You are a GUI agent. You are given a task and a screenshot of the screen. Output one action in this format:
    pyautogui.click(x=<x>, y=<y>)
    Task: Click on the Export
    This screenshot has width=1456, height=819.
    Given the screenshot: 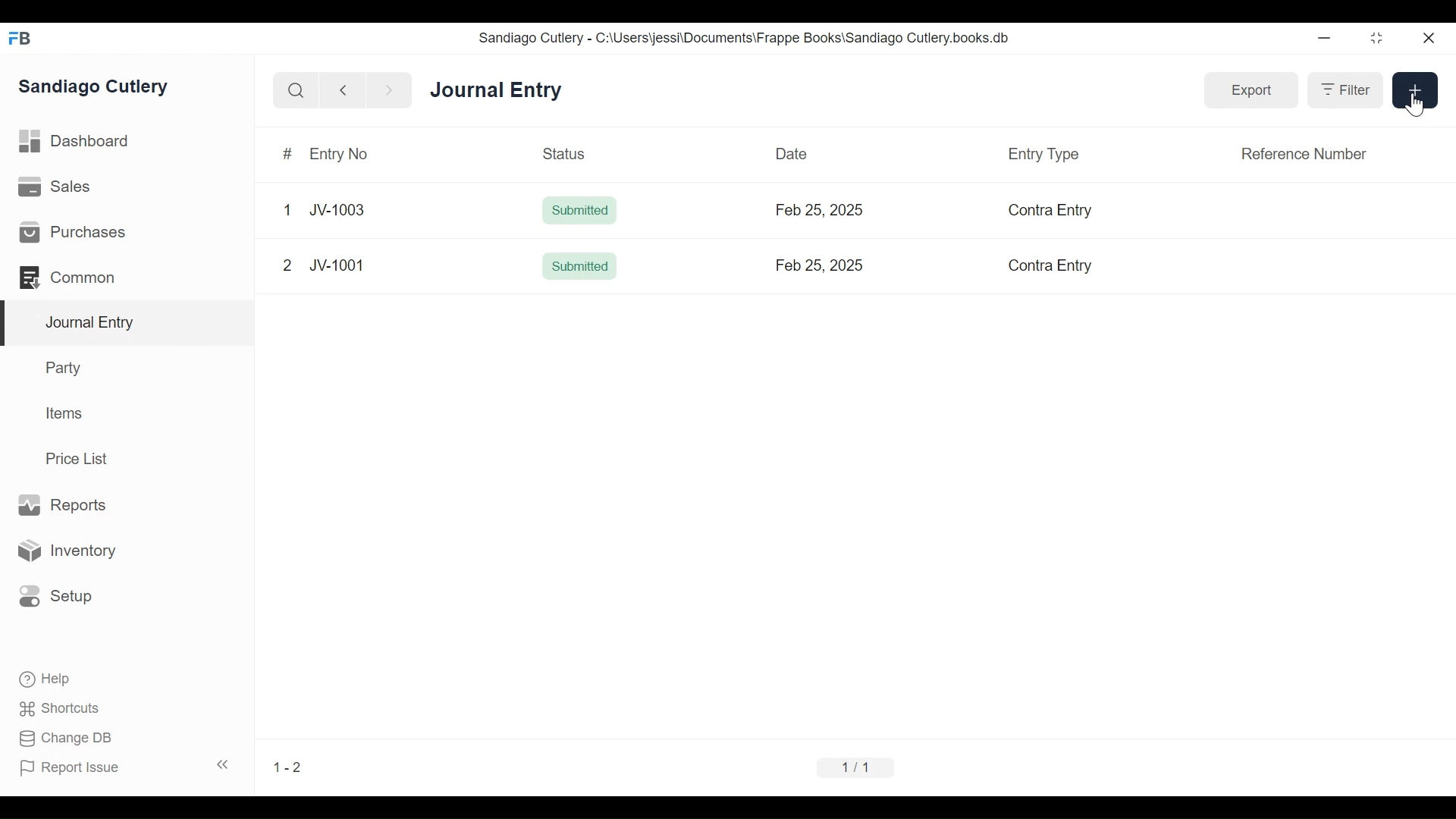 What is the action you would take?
    pyautogui.click(x=1254, y=92)
    